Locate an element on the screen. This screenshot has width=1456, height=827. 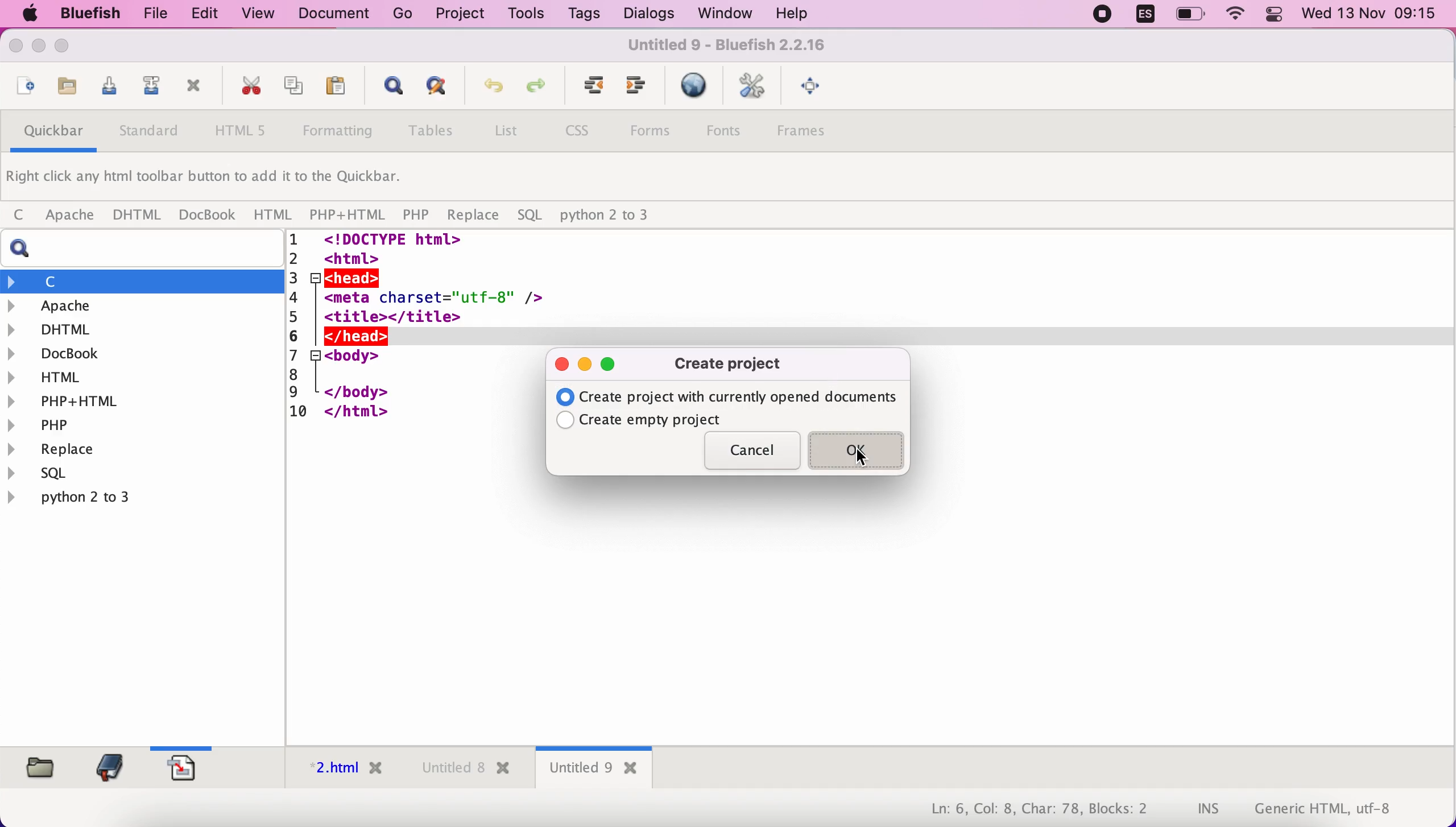
full screen is located at coordinates (813, 88).